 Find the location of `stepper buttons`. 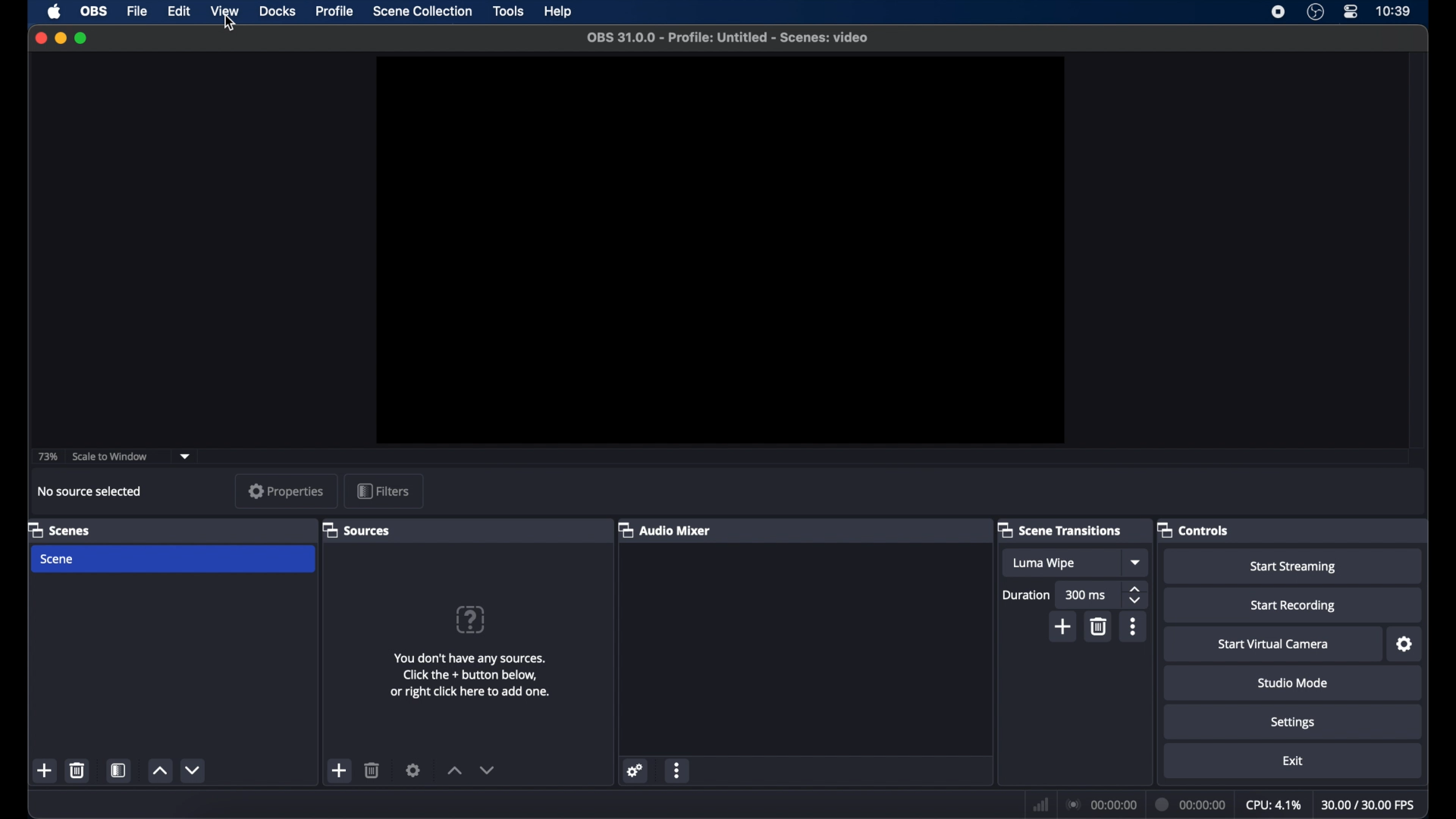

stepper buttons is located at coordinates (1137, 595).